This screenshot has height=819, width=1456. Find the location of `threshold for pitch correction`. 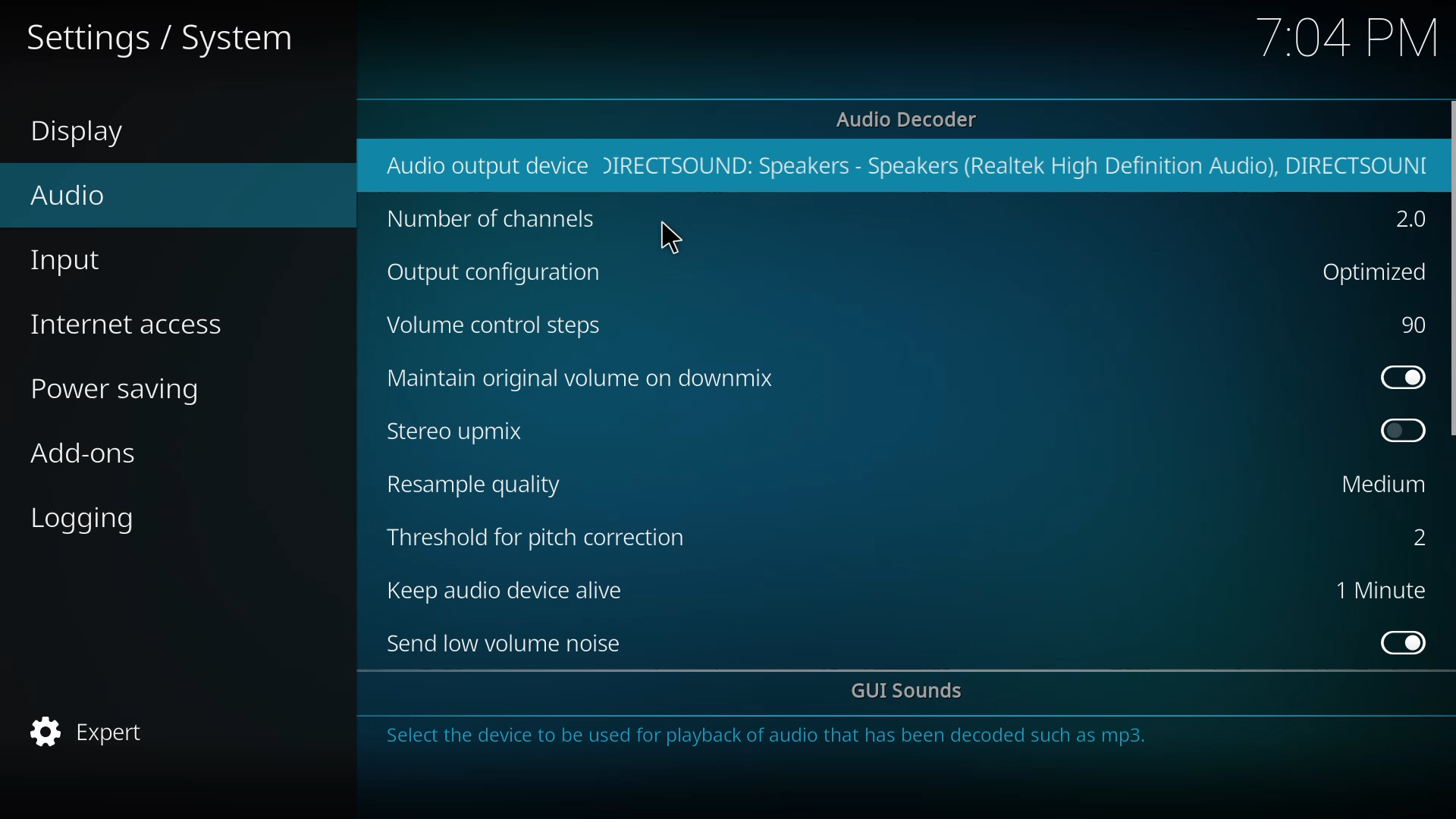

threshold for pitch correction is located at coordinates (543, 536).